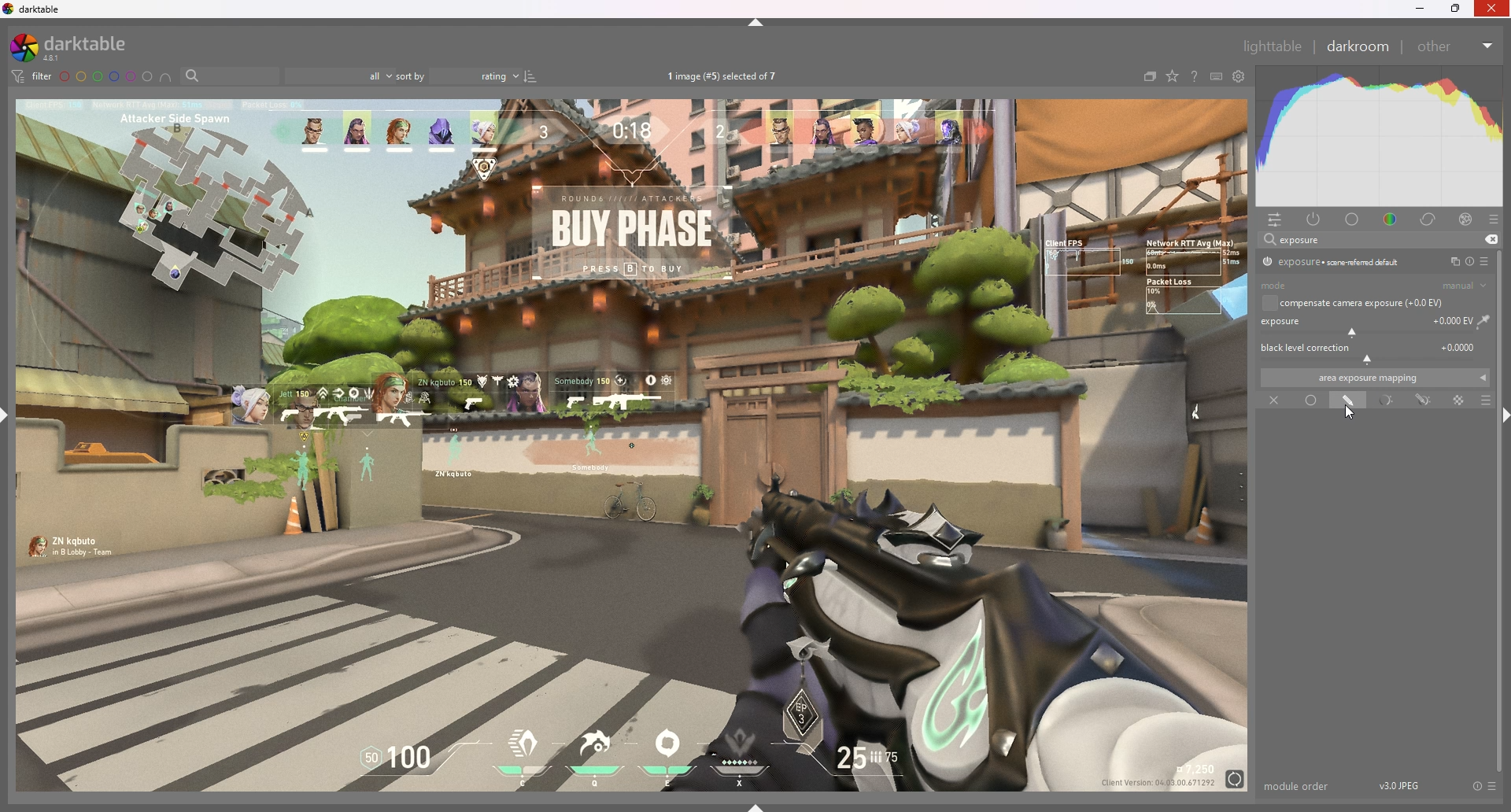 Image resolution: width=1511 pixels, height=812 pixels. I want to click on presets, so click(1486, 261).